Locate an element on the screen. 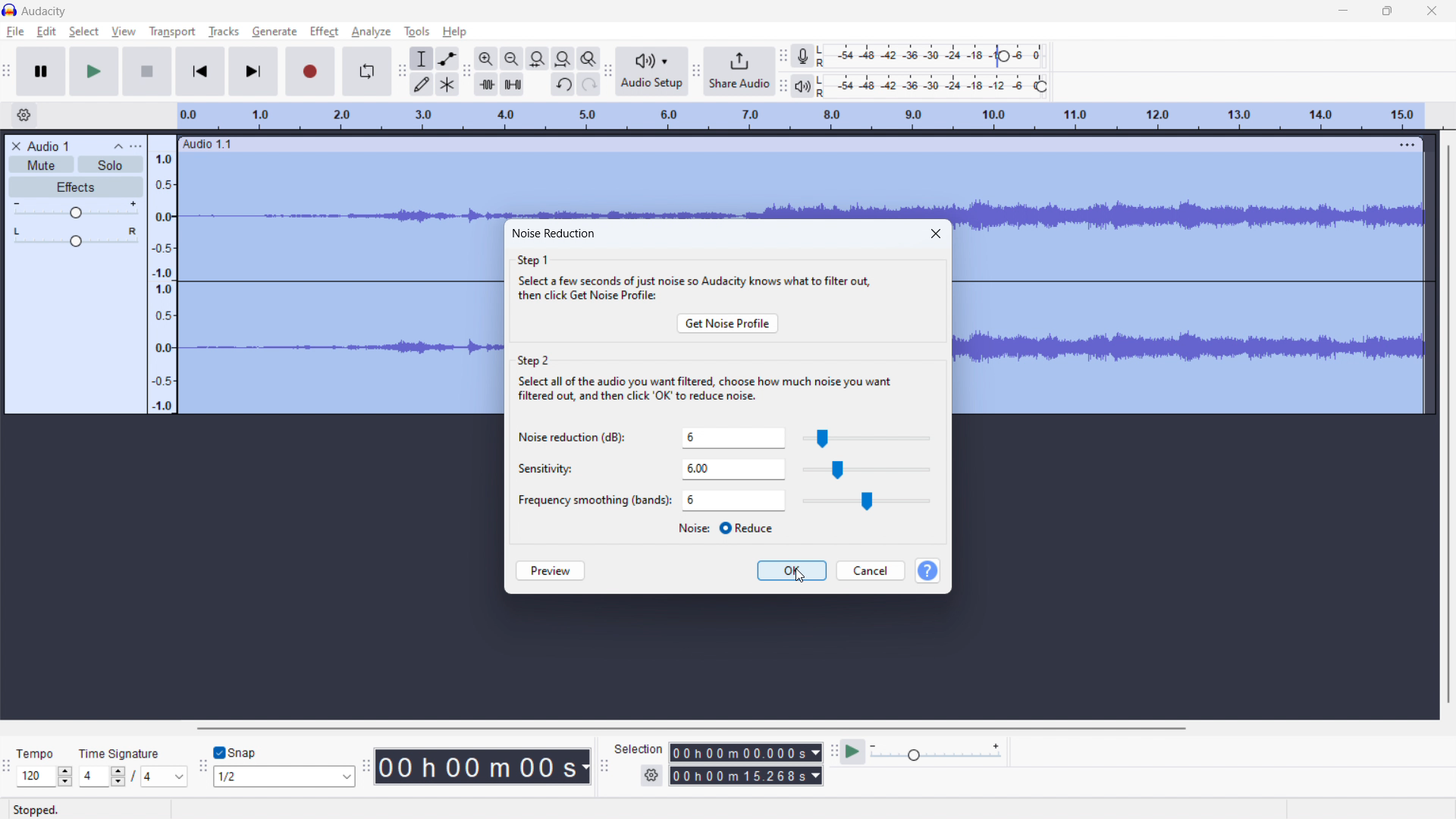  hold to move is located at coordinates (784, 143).